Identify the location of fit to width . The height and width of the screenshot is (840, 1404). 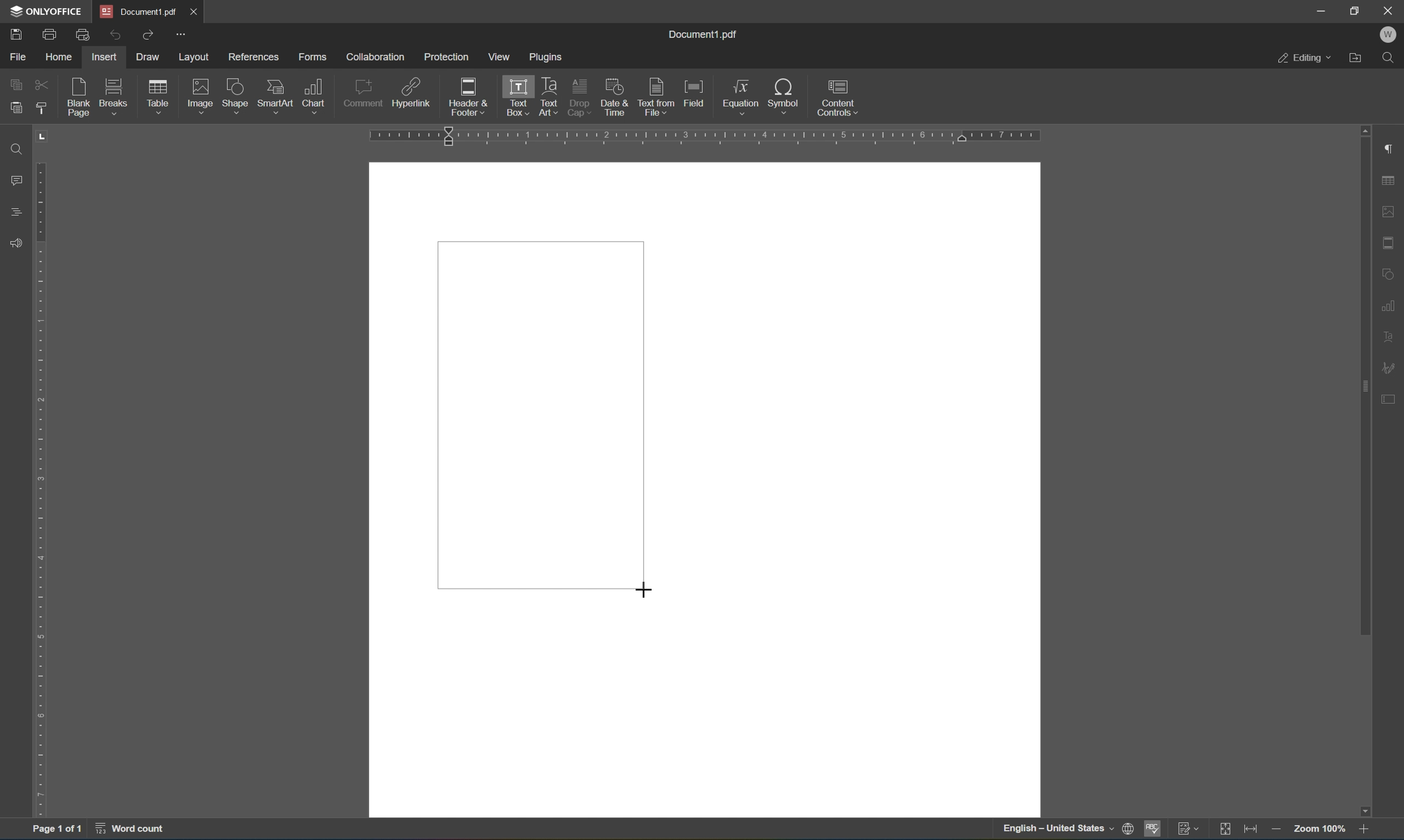
(1251, 831).